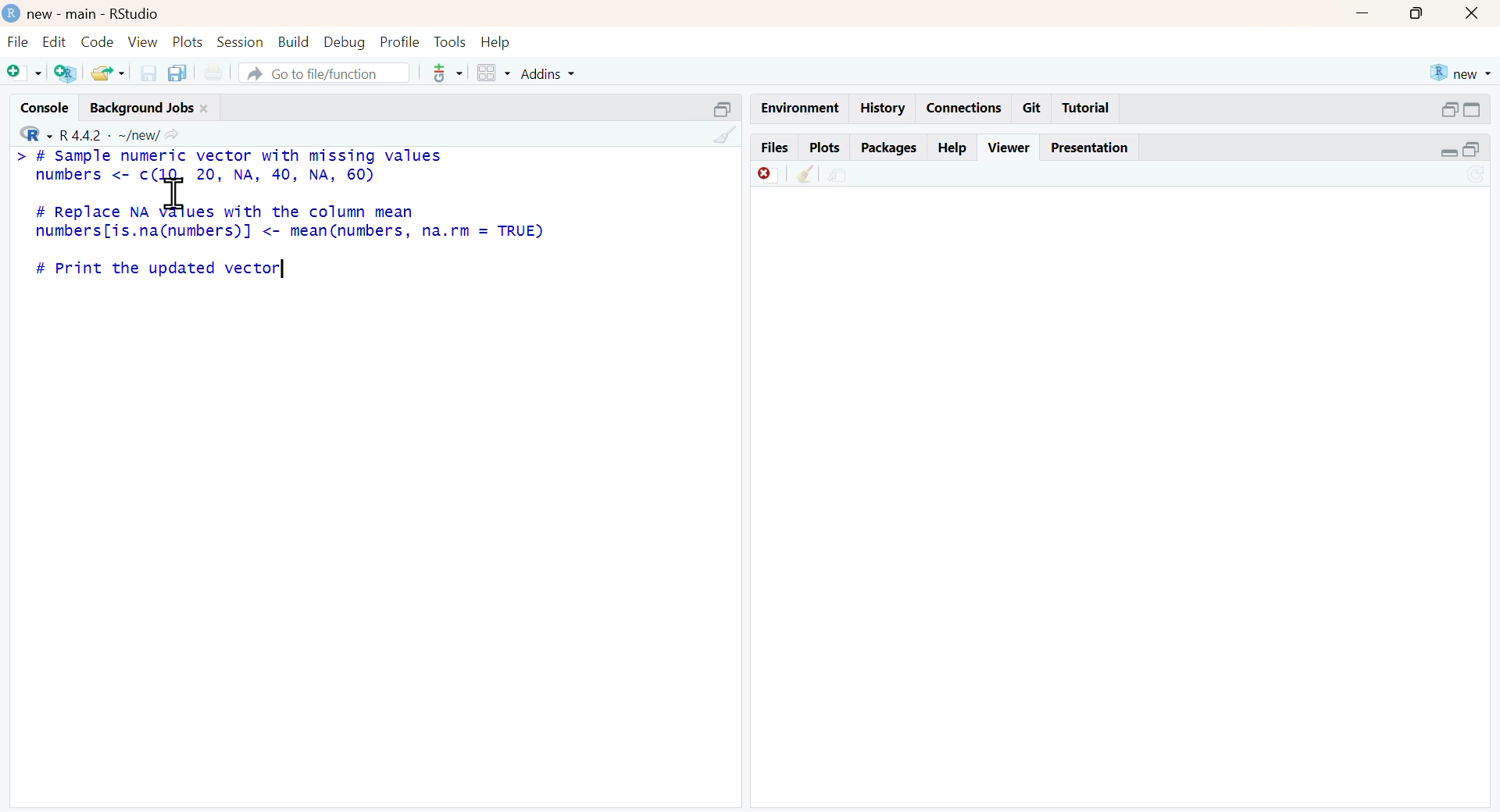  Describe the element at coordinates (143, 109) in the screenshot. I see `background jobs` at that location.